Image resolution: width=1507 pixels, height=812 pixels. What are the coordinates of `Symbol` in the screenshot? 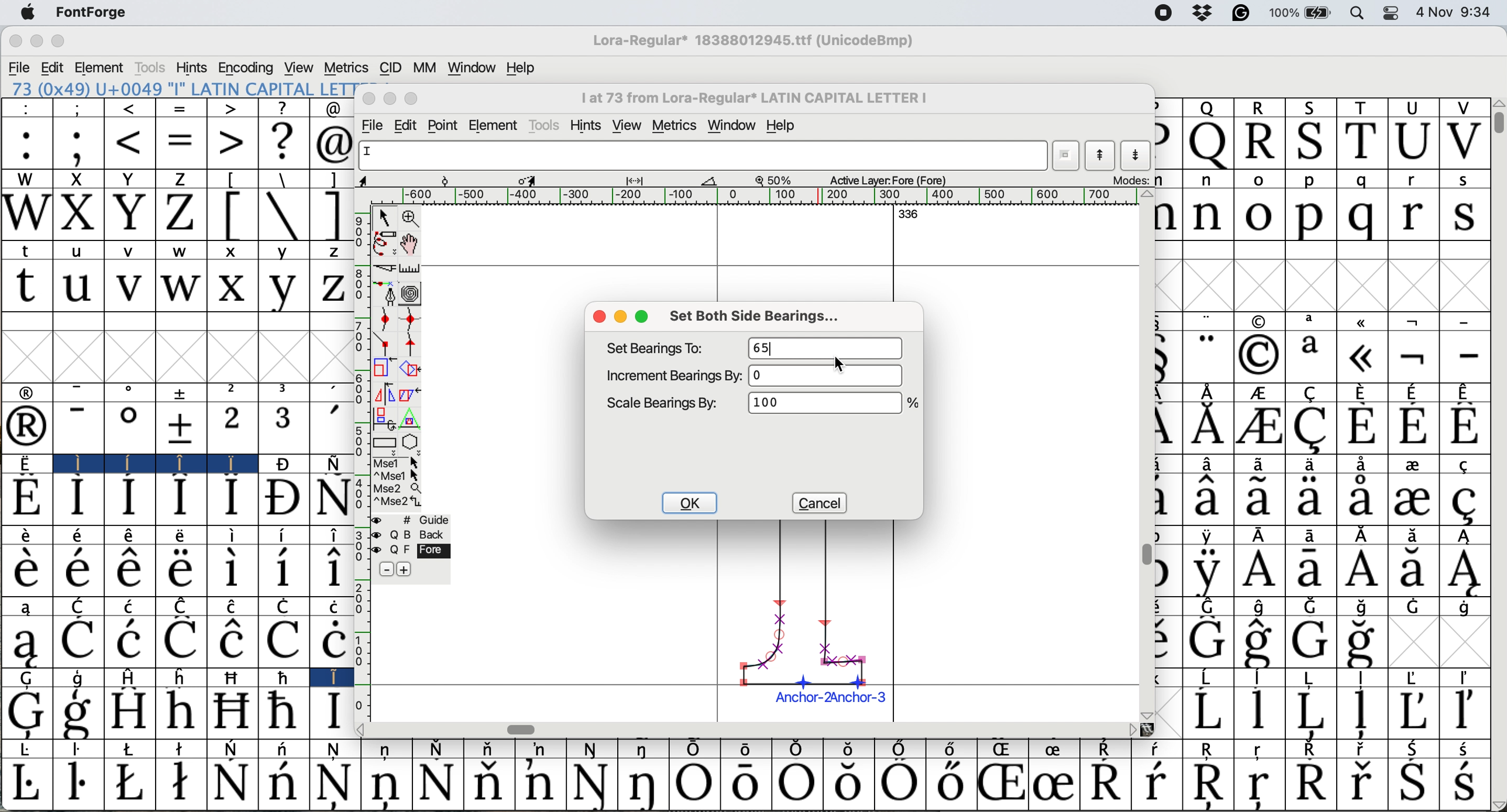 It's located at (1058, 749).